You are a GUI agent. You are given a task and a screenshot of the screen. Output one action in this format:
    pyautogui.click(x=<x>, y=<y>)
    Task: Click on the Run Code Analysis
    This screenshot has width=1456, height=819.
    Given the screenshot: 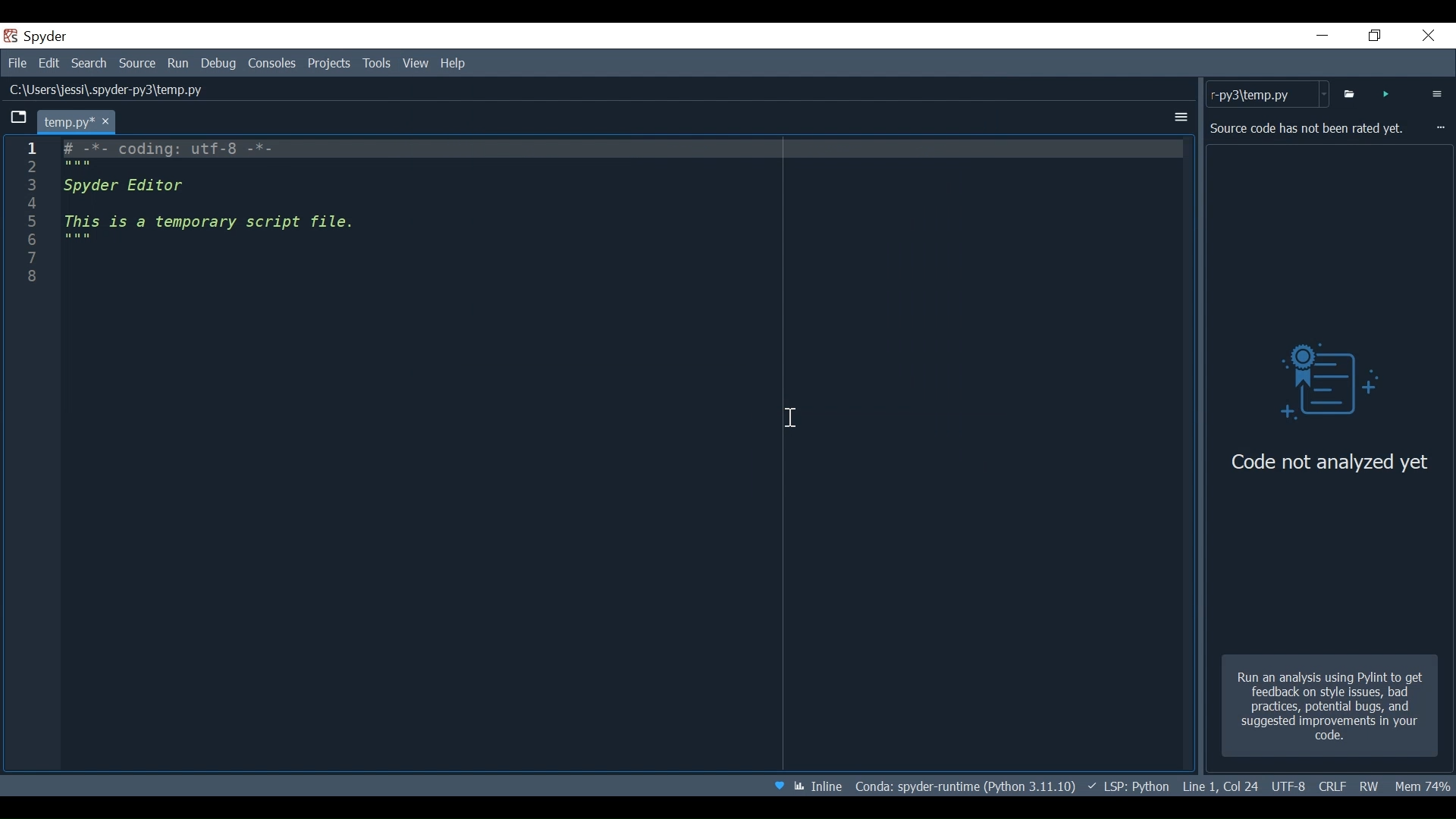 What is the action you would take?
    pyautogui.click(x=1387, y=95)
    